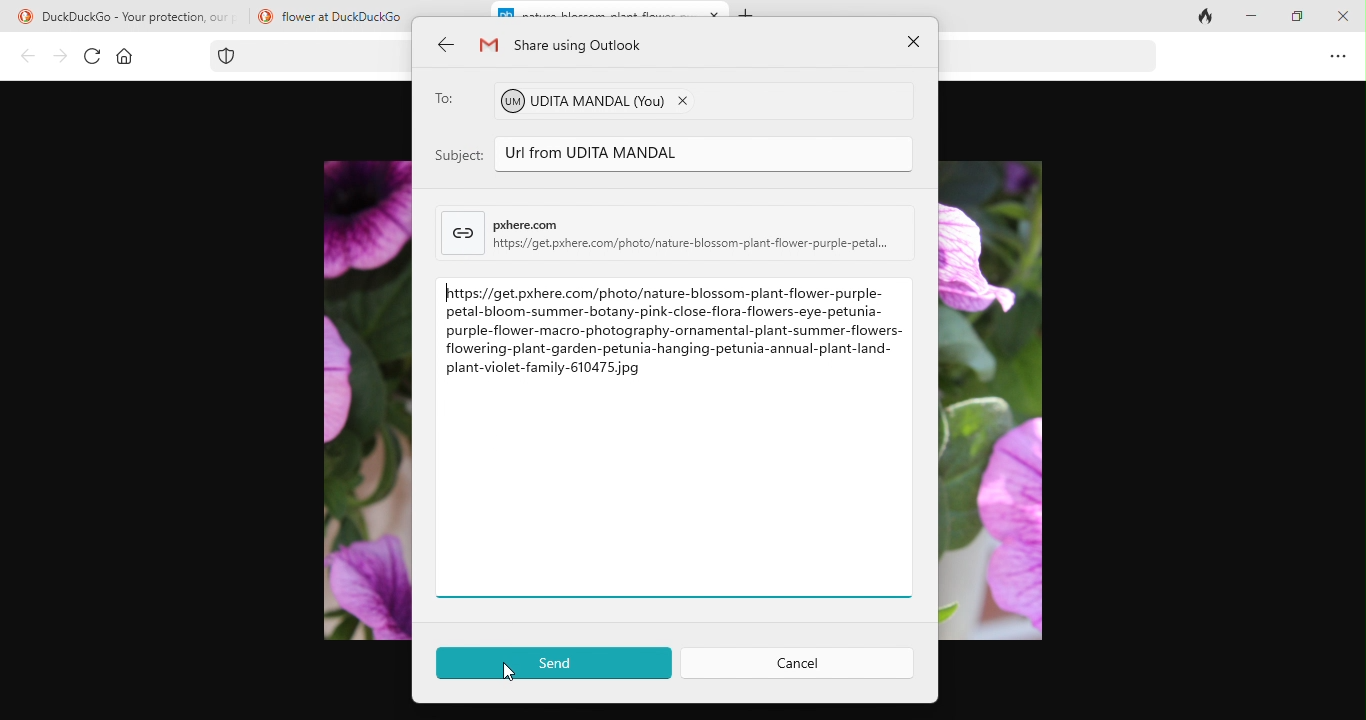 This screenshot has height=720, width=1366. I want to click on home, so click(125, 57).